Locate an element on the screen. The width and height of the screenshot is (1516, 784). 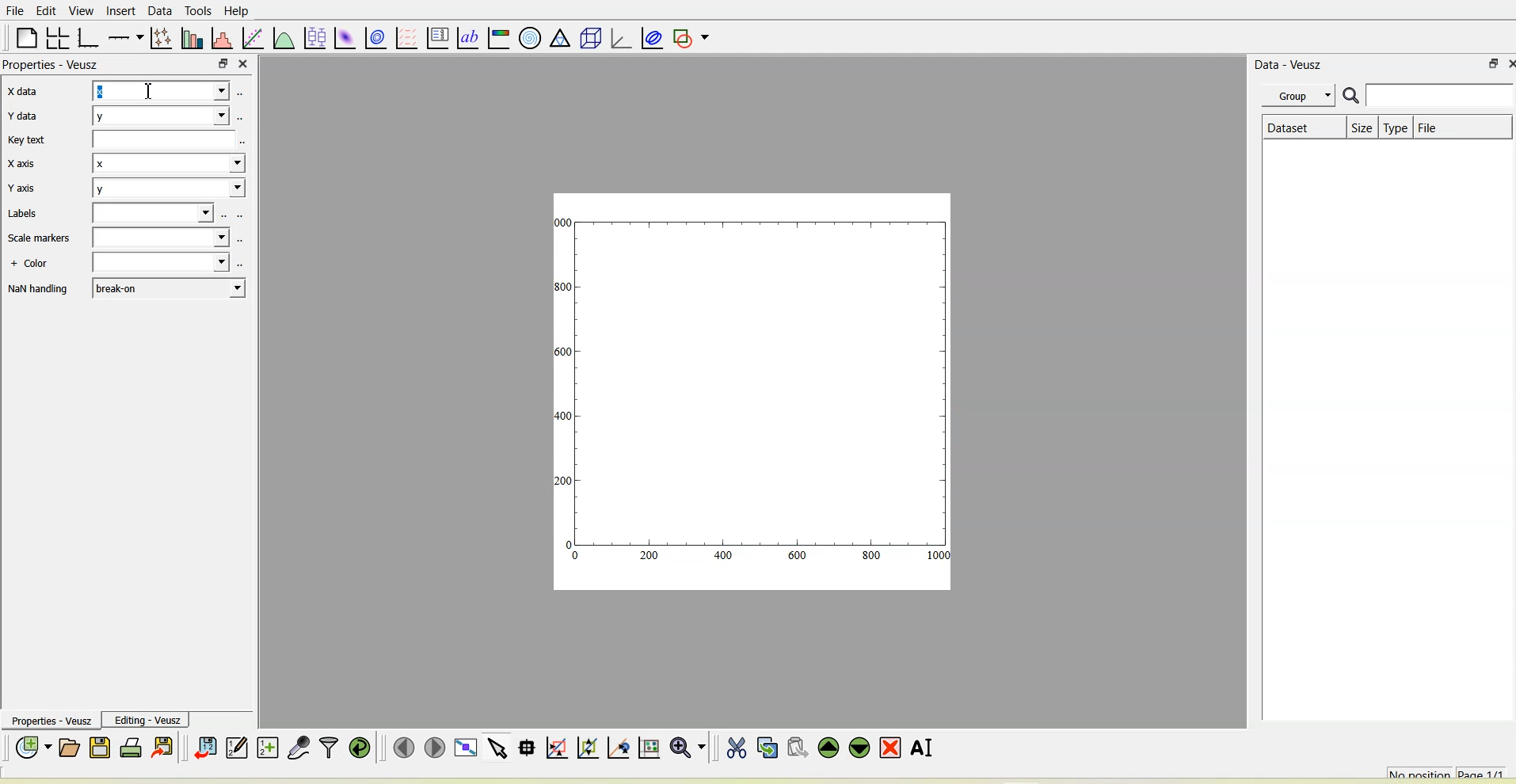
Move to the next page is located at coordinates (435, 747).